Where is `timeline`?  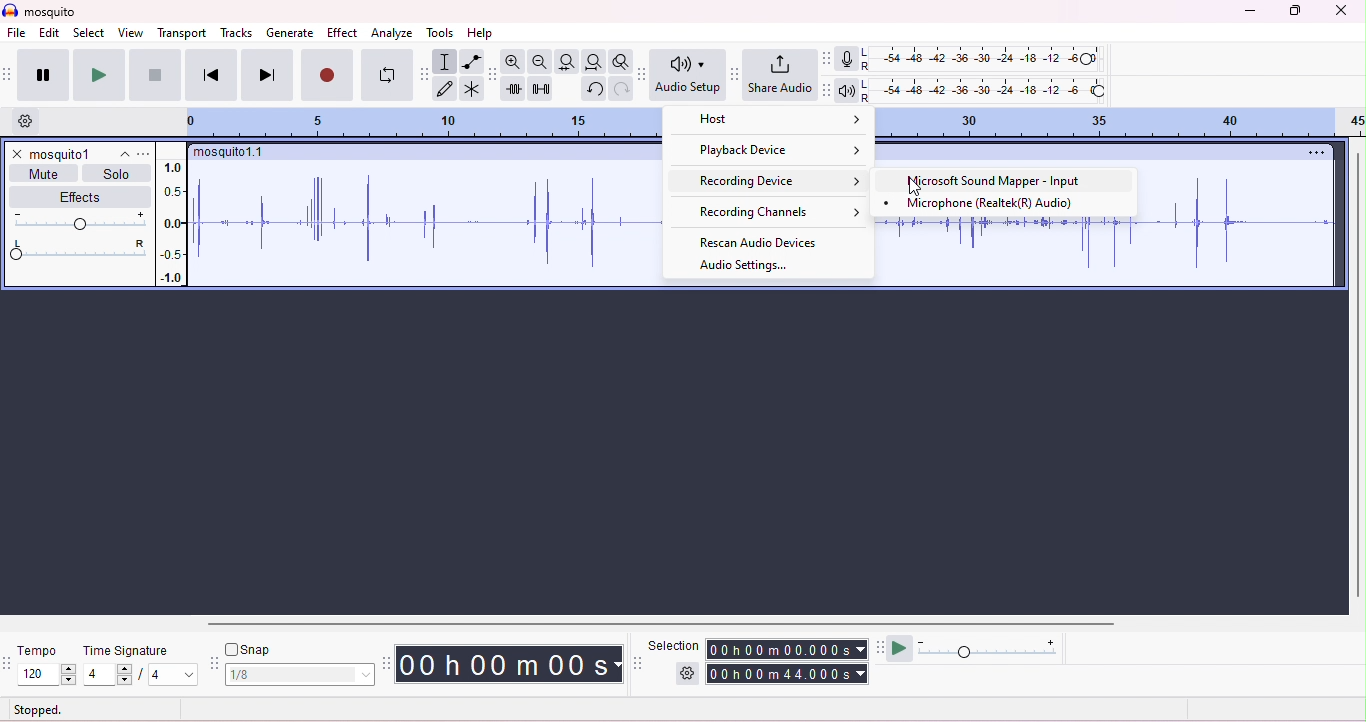
timeline is located at coordinates (1123, 123).